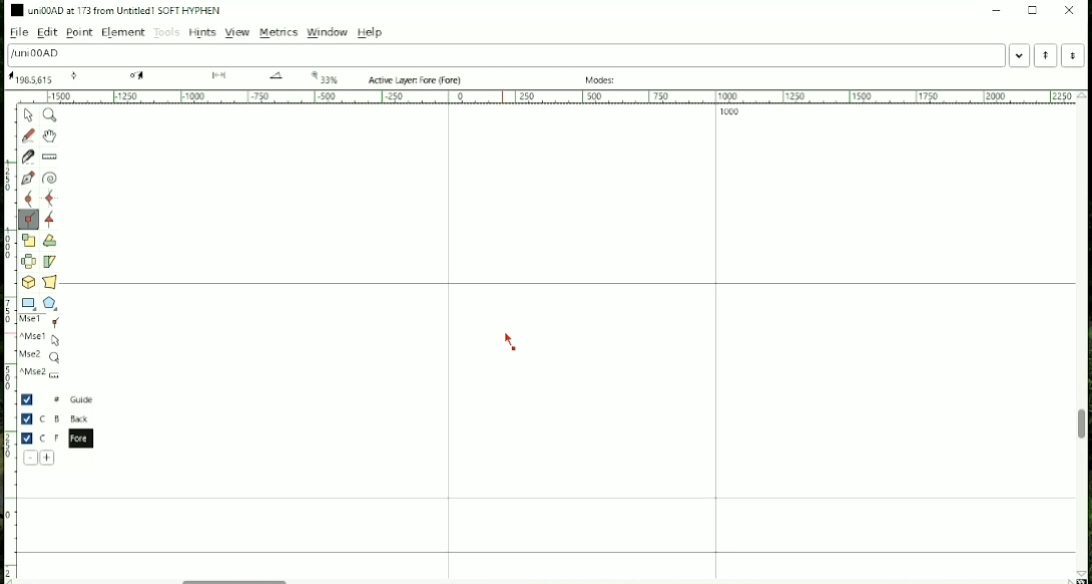  Describe the element at coordinates (28, 240) in the screenshot. I see `Scale the selection` at that location.